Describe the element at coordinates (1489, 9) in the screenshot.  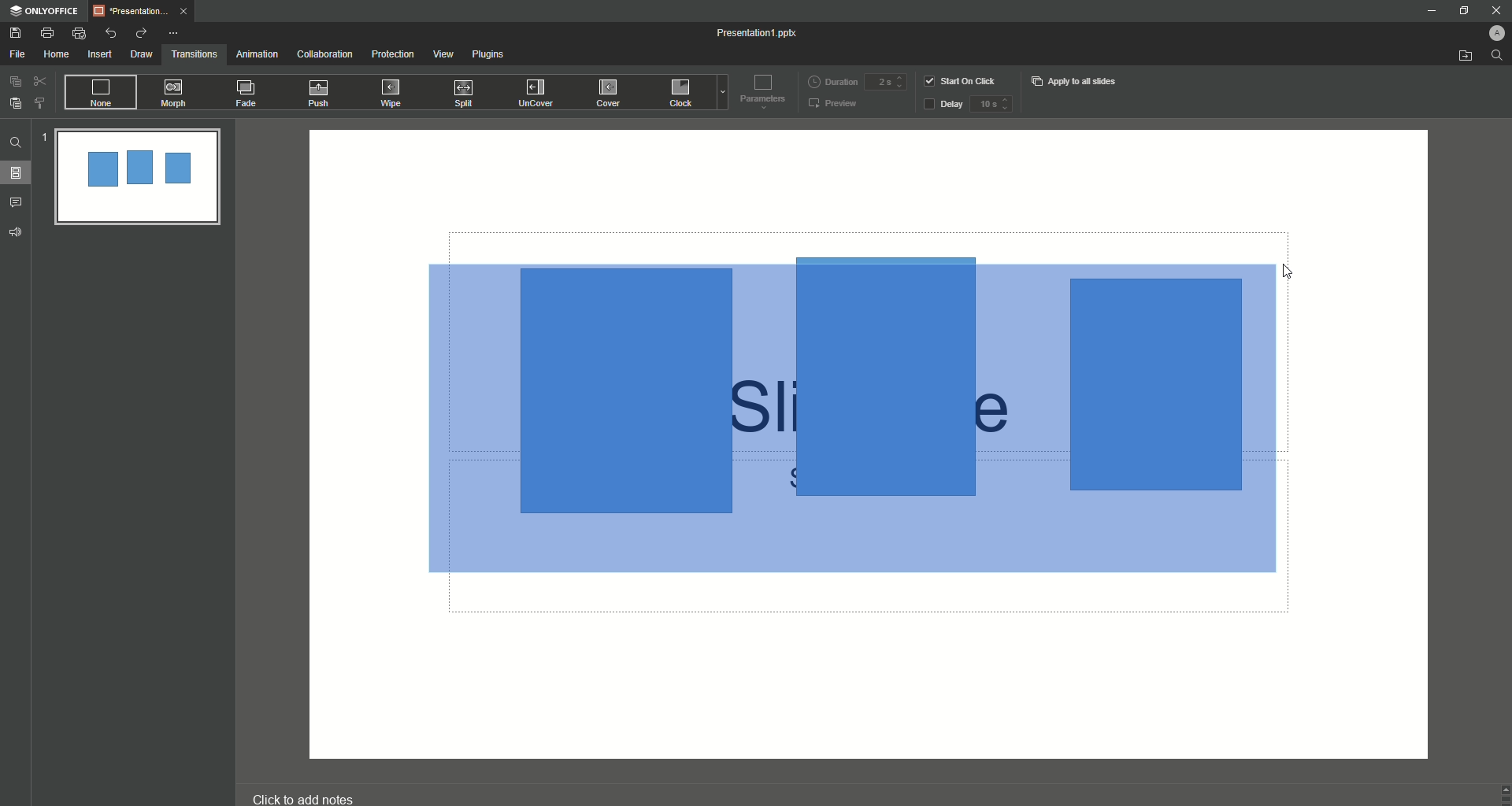
I see `Close` at that location.